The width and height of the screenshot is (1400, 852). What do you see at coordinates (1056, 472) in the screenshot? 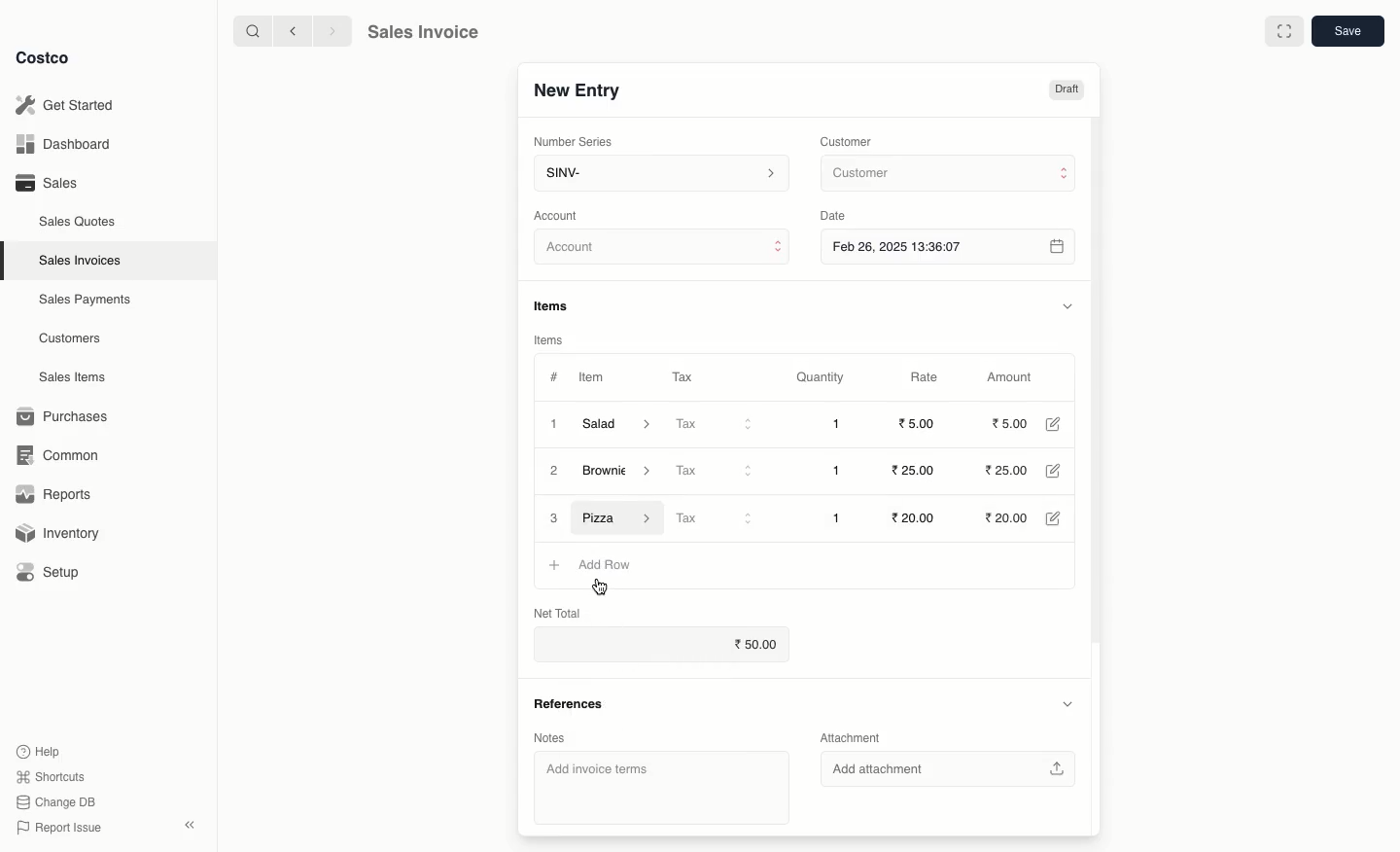
I see `Edit` at bounding box center [1056, 472].